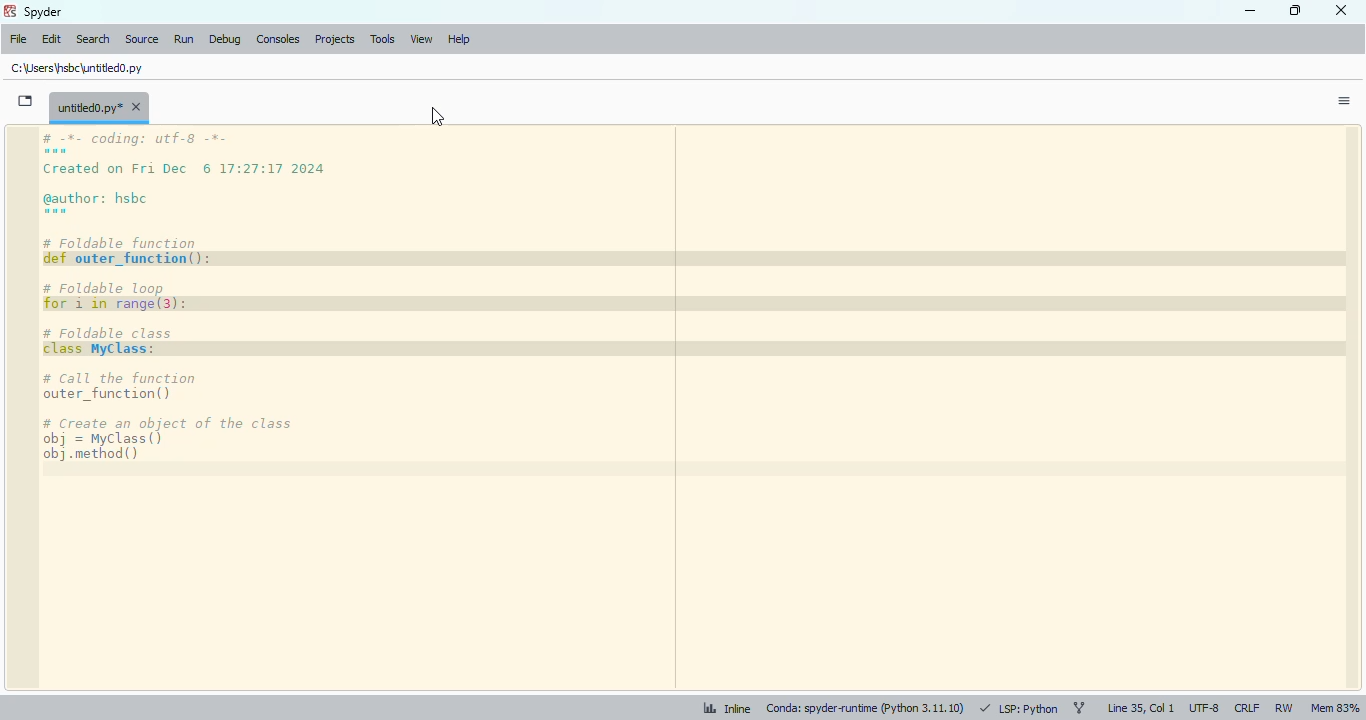  What do you see at coordinates (1350, 408) in the screenshot?
I see `scrollbar` at bounding box center [1350, 408].